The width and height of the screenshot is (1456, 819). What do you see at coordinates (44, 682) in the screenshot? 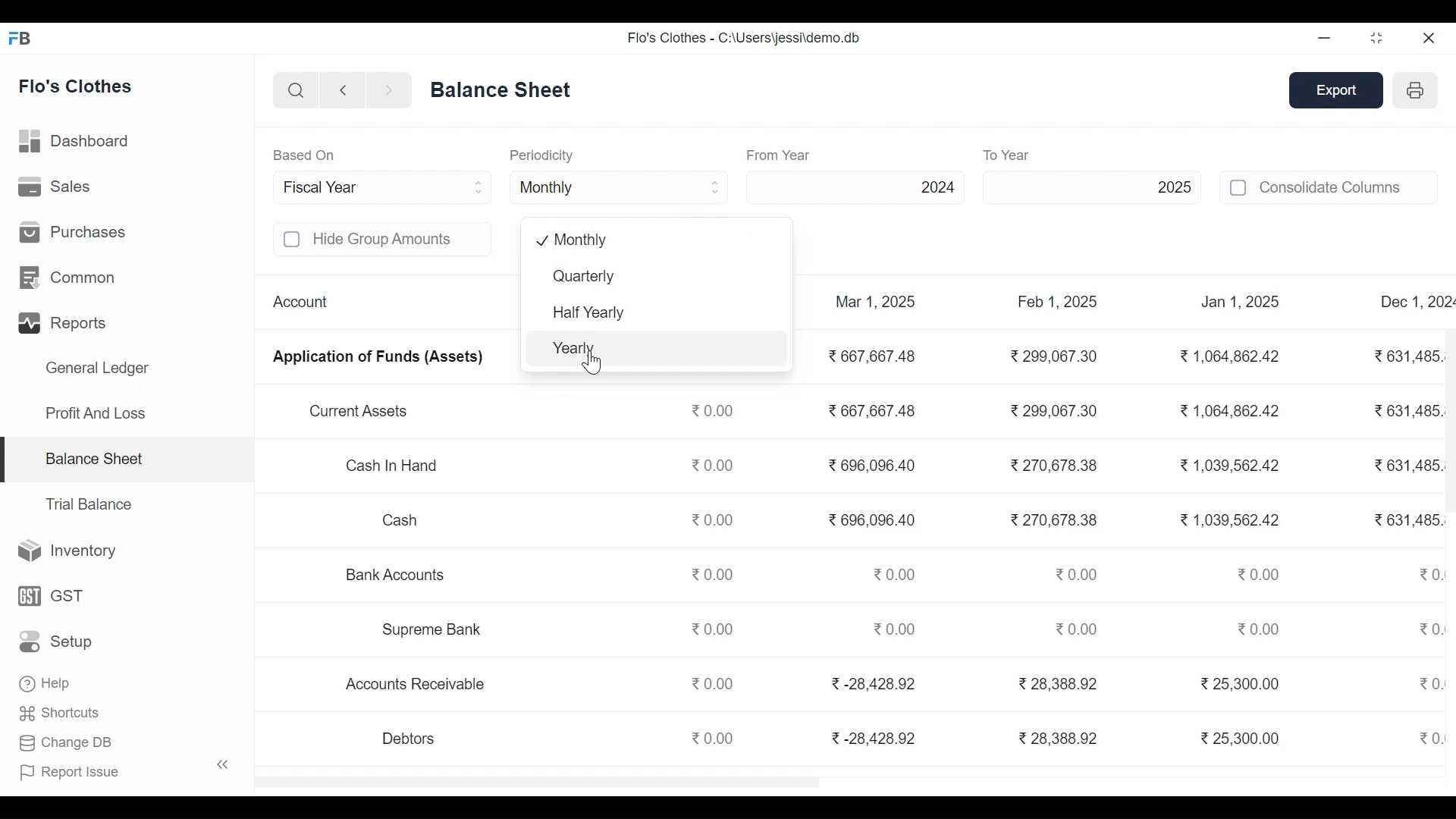
I see `help` at bounding box center [44, 682].